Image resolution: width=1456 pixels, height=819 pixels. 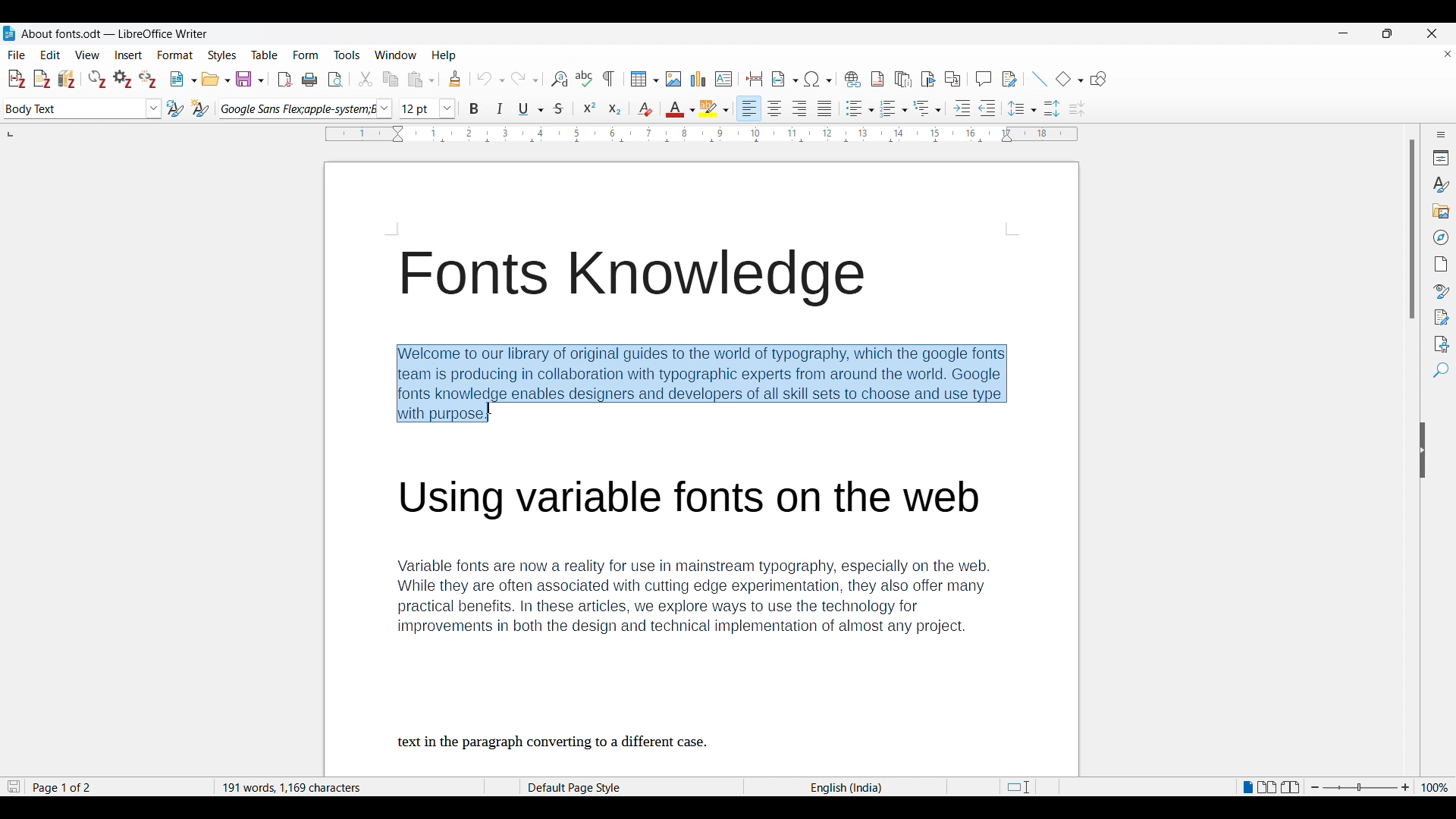 What do you see at coordinates (337, 80) in the screenshot?
I see `Toggle print preview` at bounding box center [337, 80].